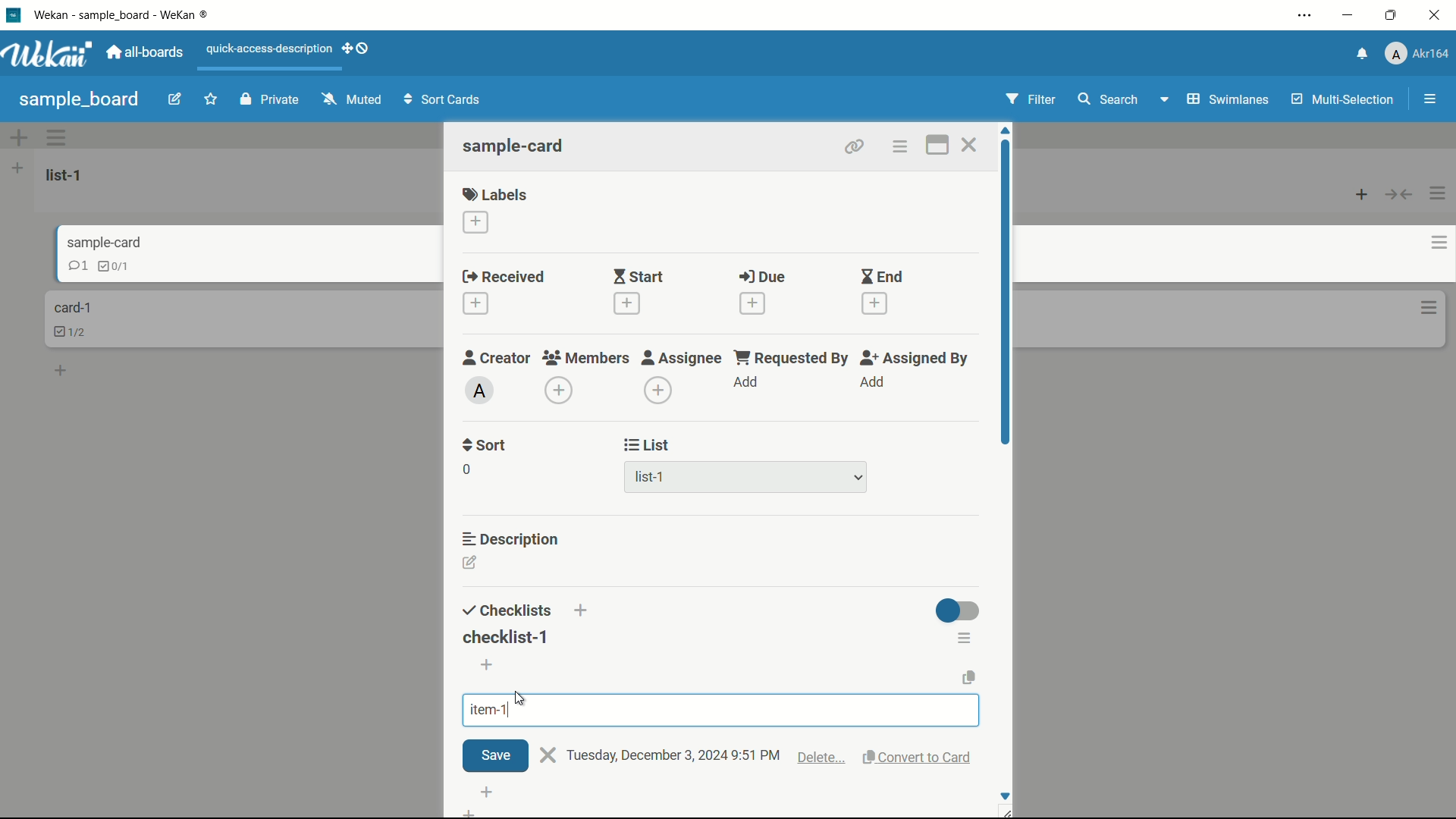  Describe the element at coordinates (147, 52) in the screenshot. I see `all boards` at that location.